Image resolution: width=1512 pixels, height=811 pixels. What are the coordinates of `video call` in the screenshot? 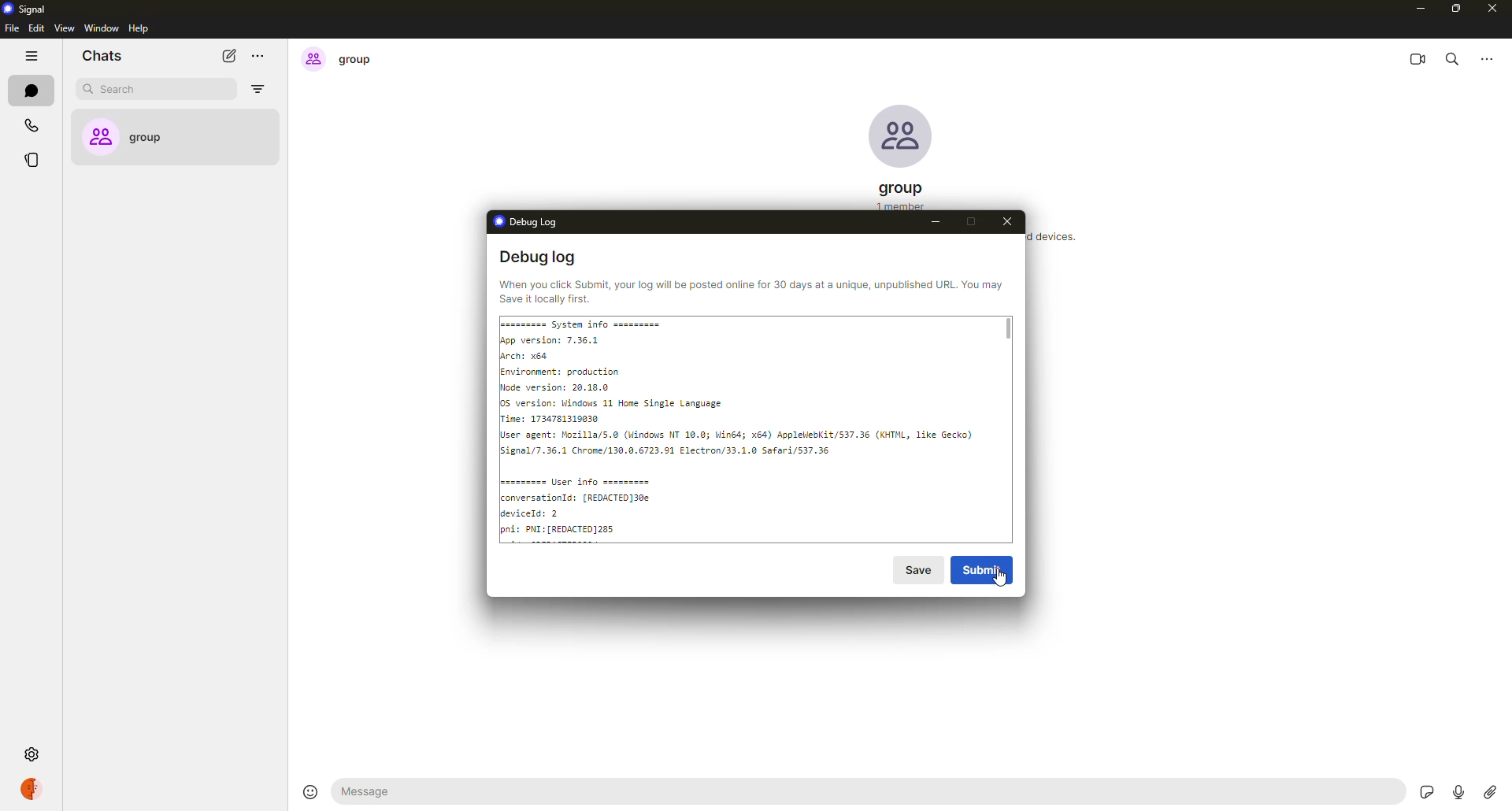 It's located at (1420, 56).